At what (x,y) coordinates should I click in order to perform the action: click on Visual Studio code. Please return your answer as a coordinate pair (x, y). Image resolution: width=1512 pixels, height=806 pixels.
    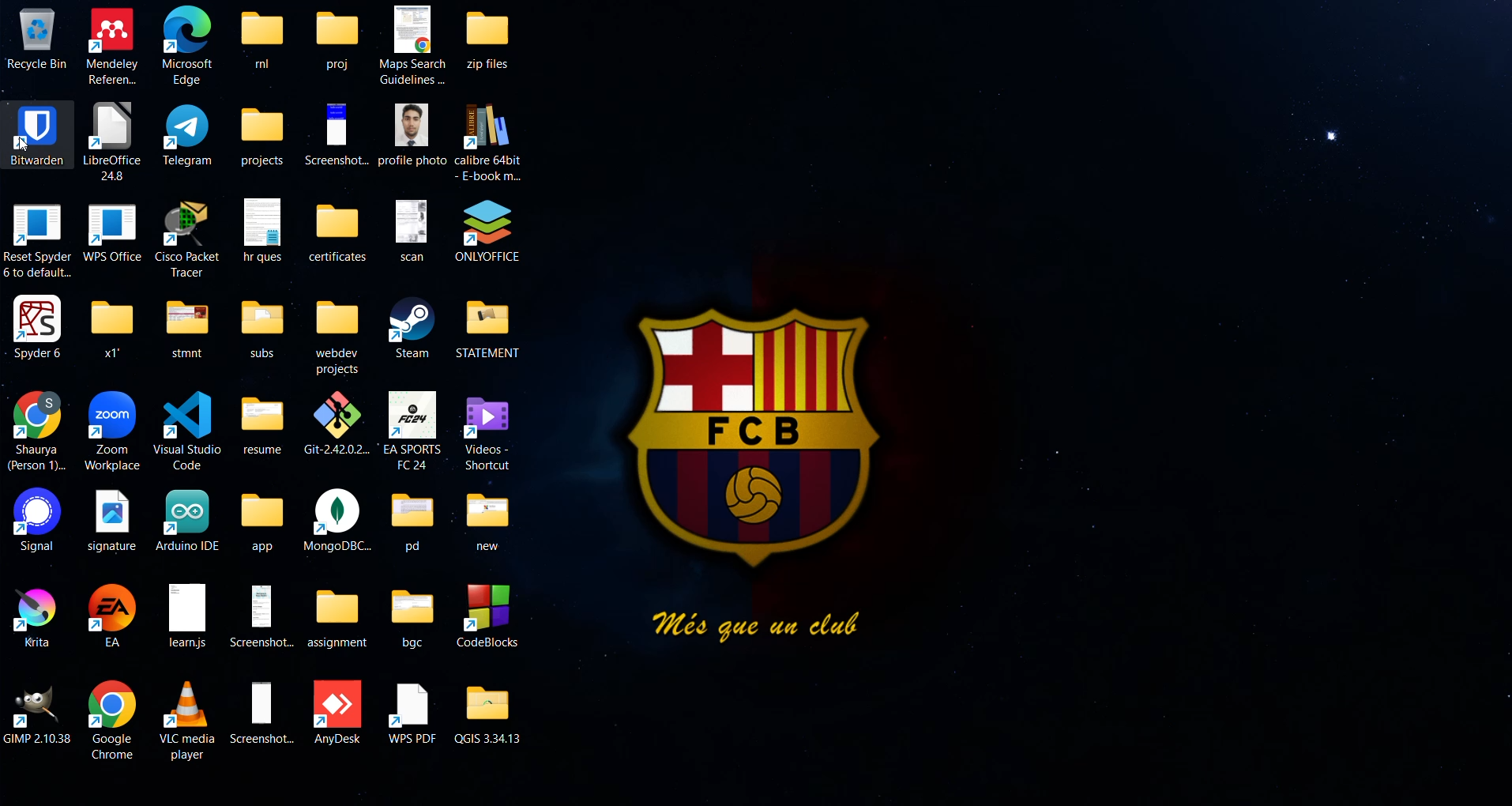
    Looking at the image, I should click on (186, 427).